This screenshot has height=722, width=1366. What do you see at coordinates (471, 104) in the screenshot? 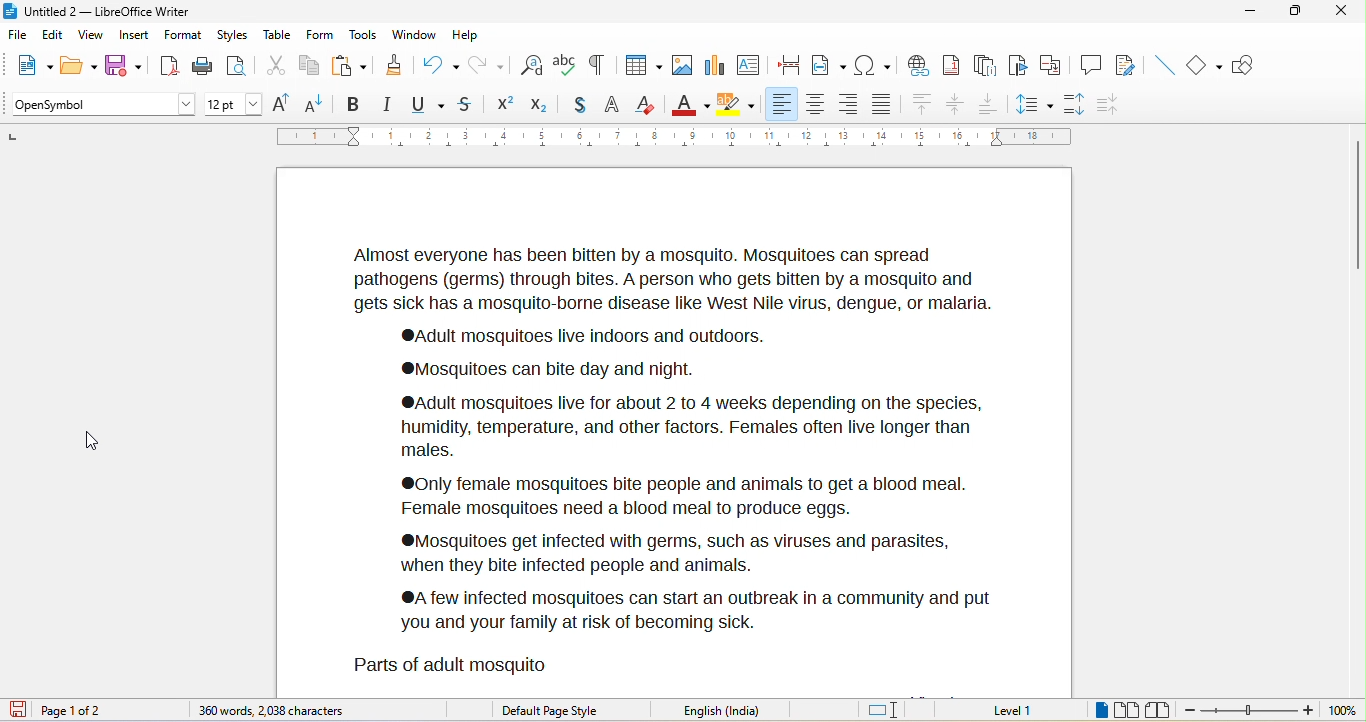
I see `strikethrough` at bounding box center [471, 104].